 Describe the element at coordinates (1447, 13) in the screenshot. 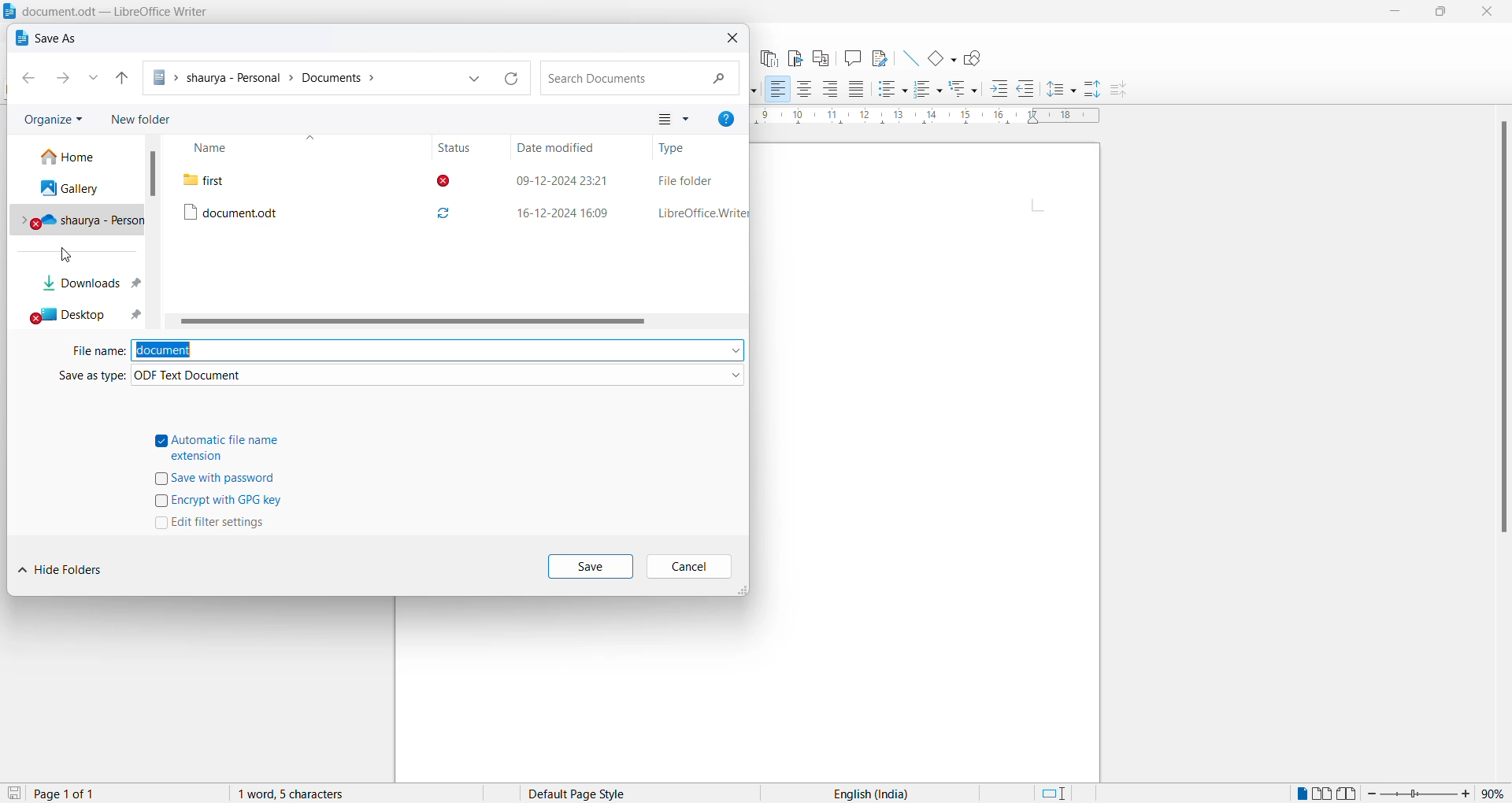

I see `maximize` at that location.